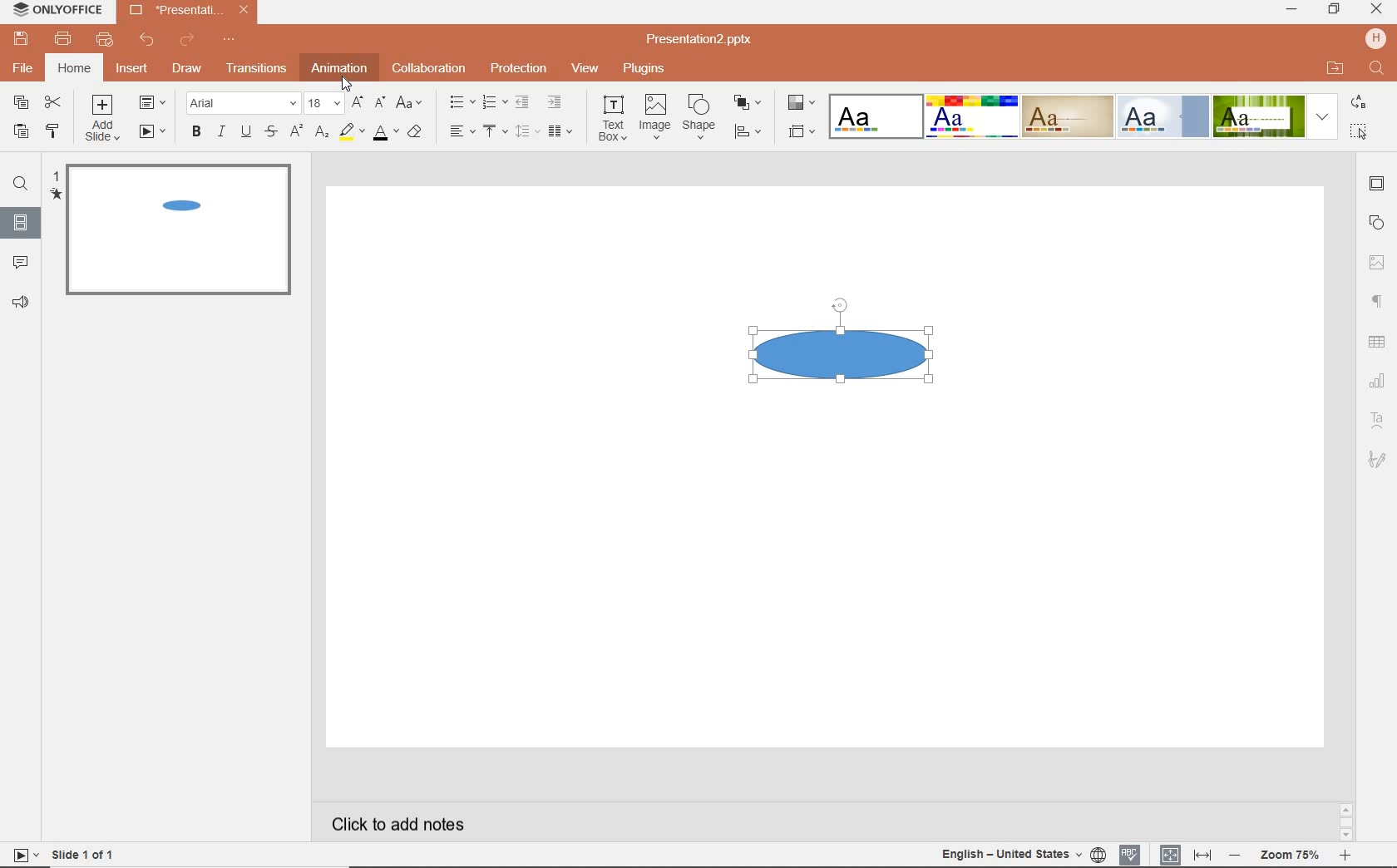 This screenshot has width=1397, height=868. I want to click on find, so click(1380, 69).